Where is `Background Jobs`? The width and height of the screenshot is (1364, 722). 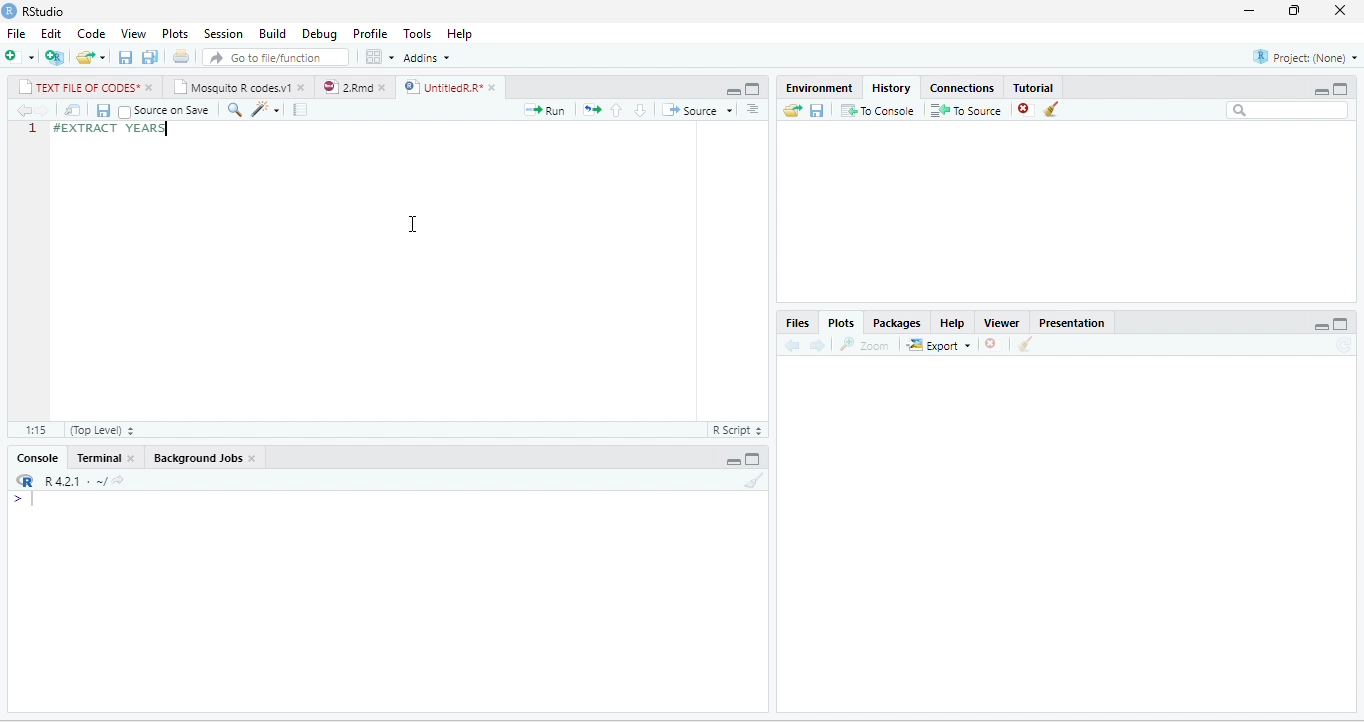
Background Jobs is located at coordinates (196, 458).